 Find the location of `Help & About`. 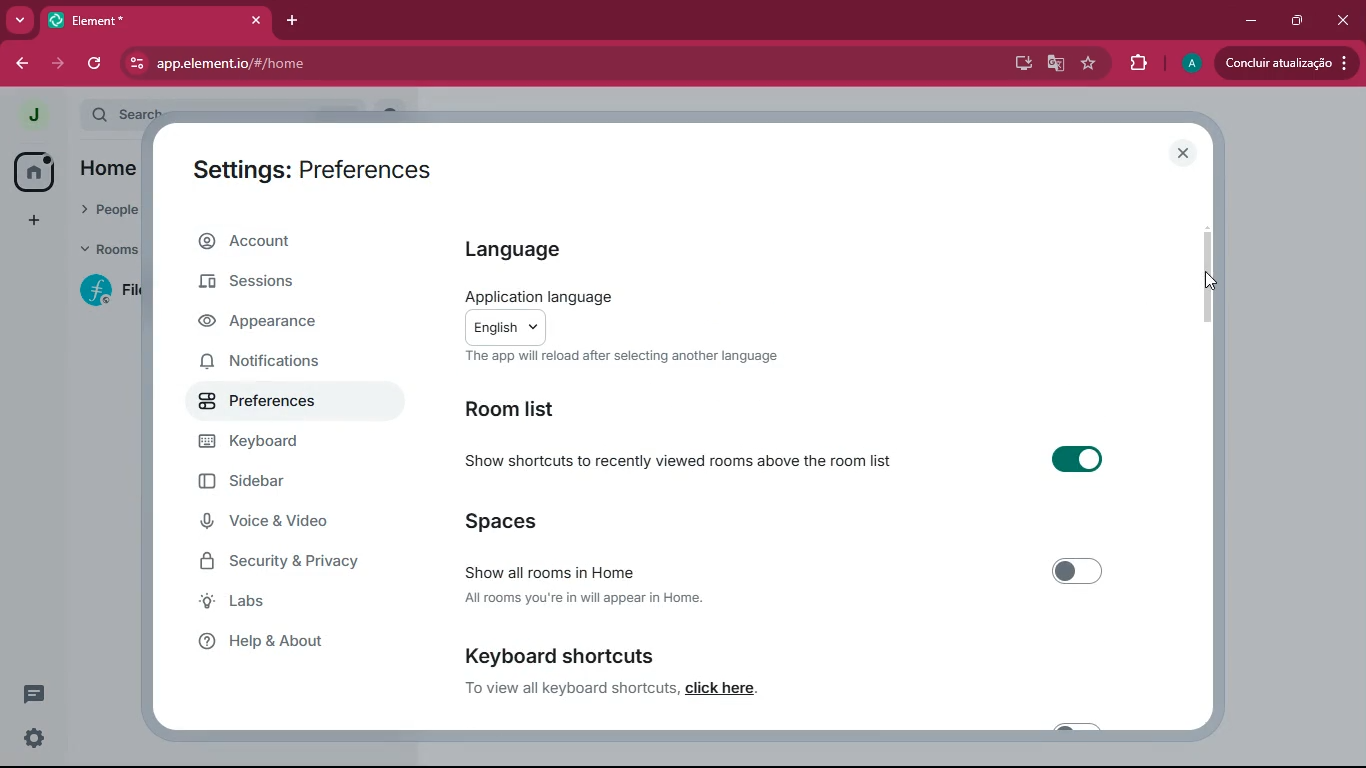

Help & About is located at coordinates (258, 641).